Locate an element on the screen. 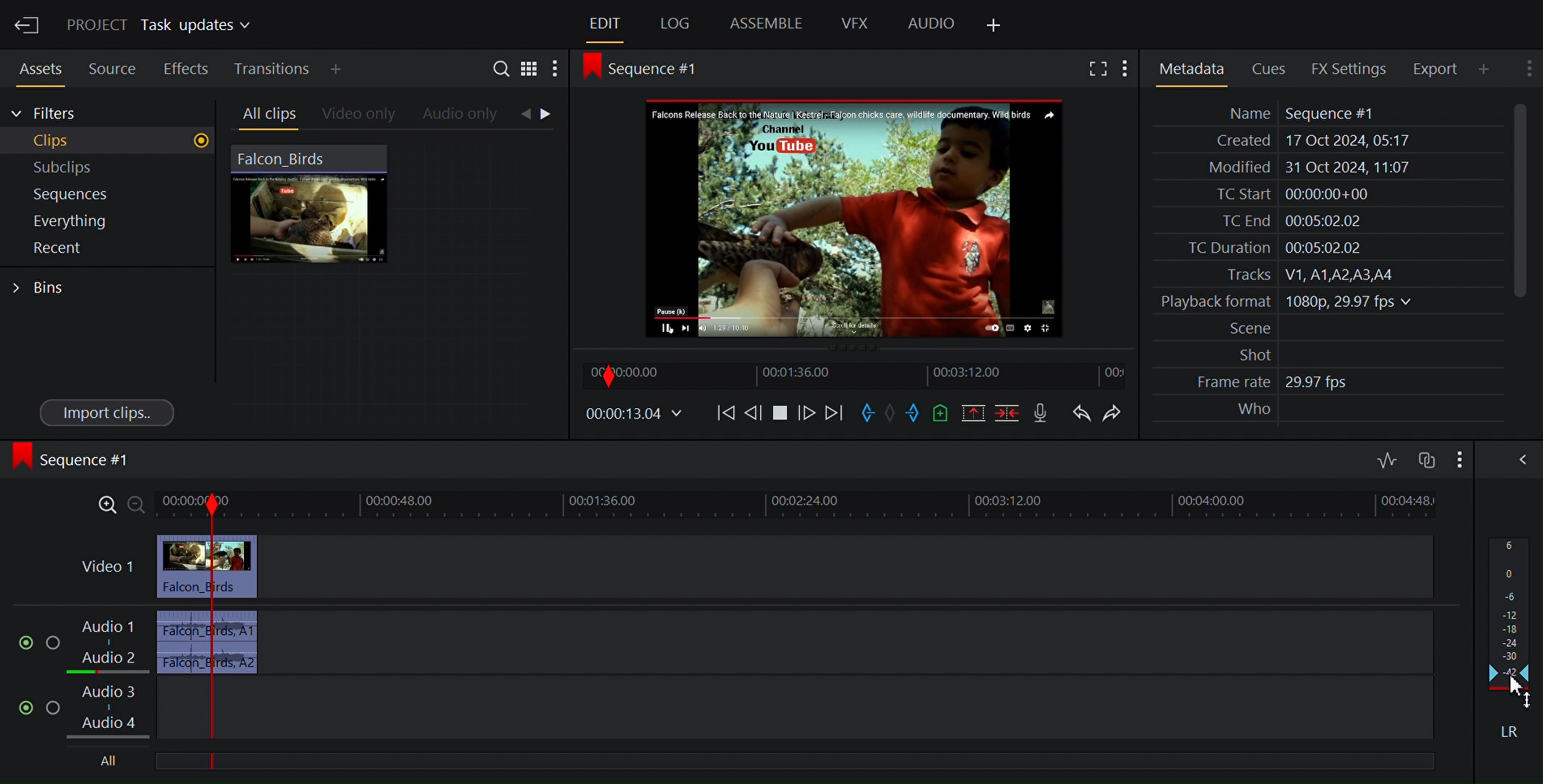  Timeline Indicator is located at coordinates (175, 630).